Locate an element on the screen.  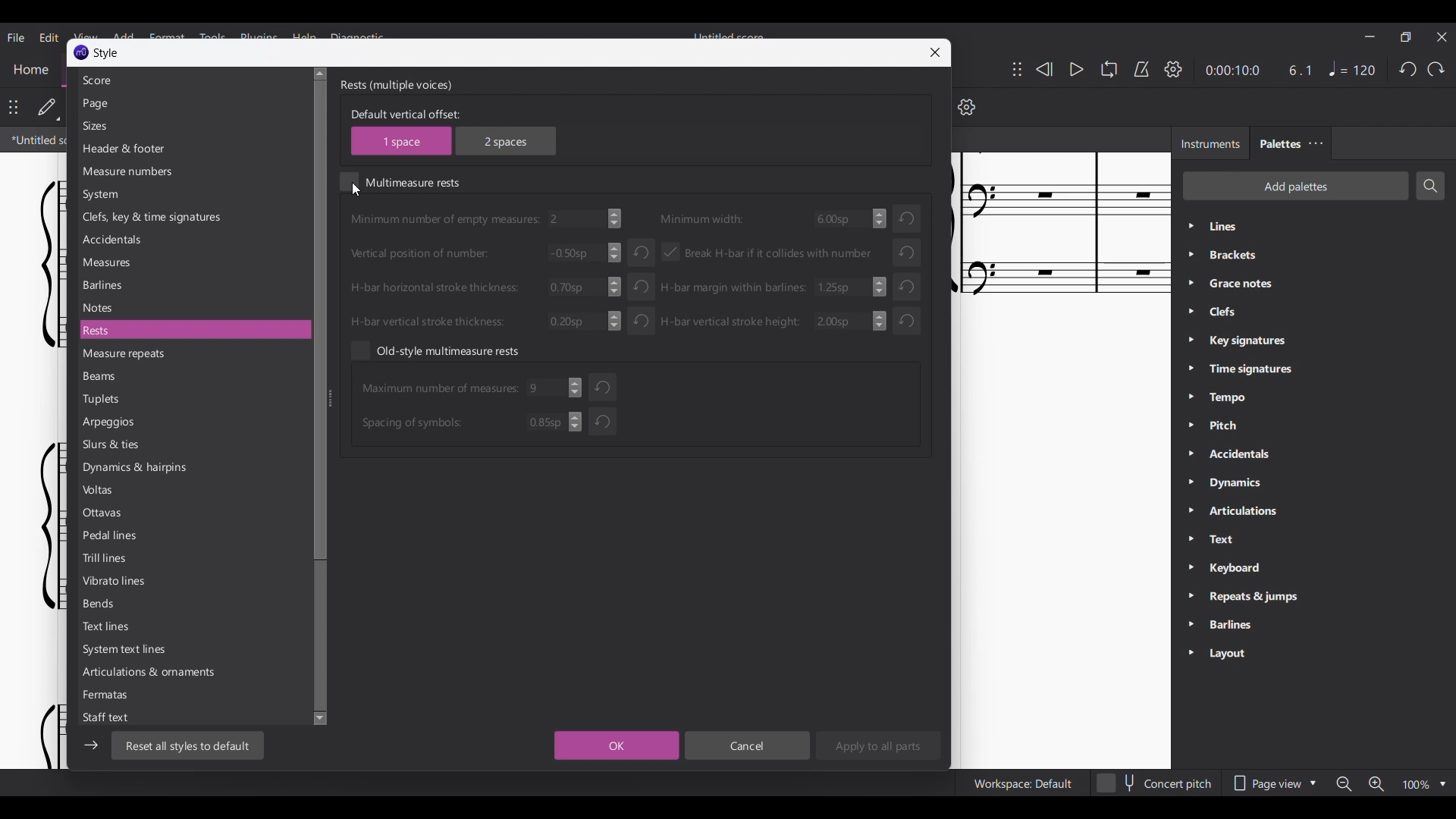
Zoom in is located at coordinates (1375, 783).